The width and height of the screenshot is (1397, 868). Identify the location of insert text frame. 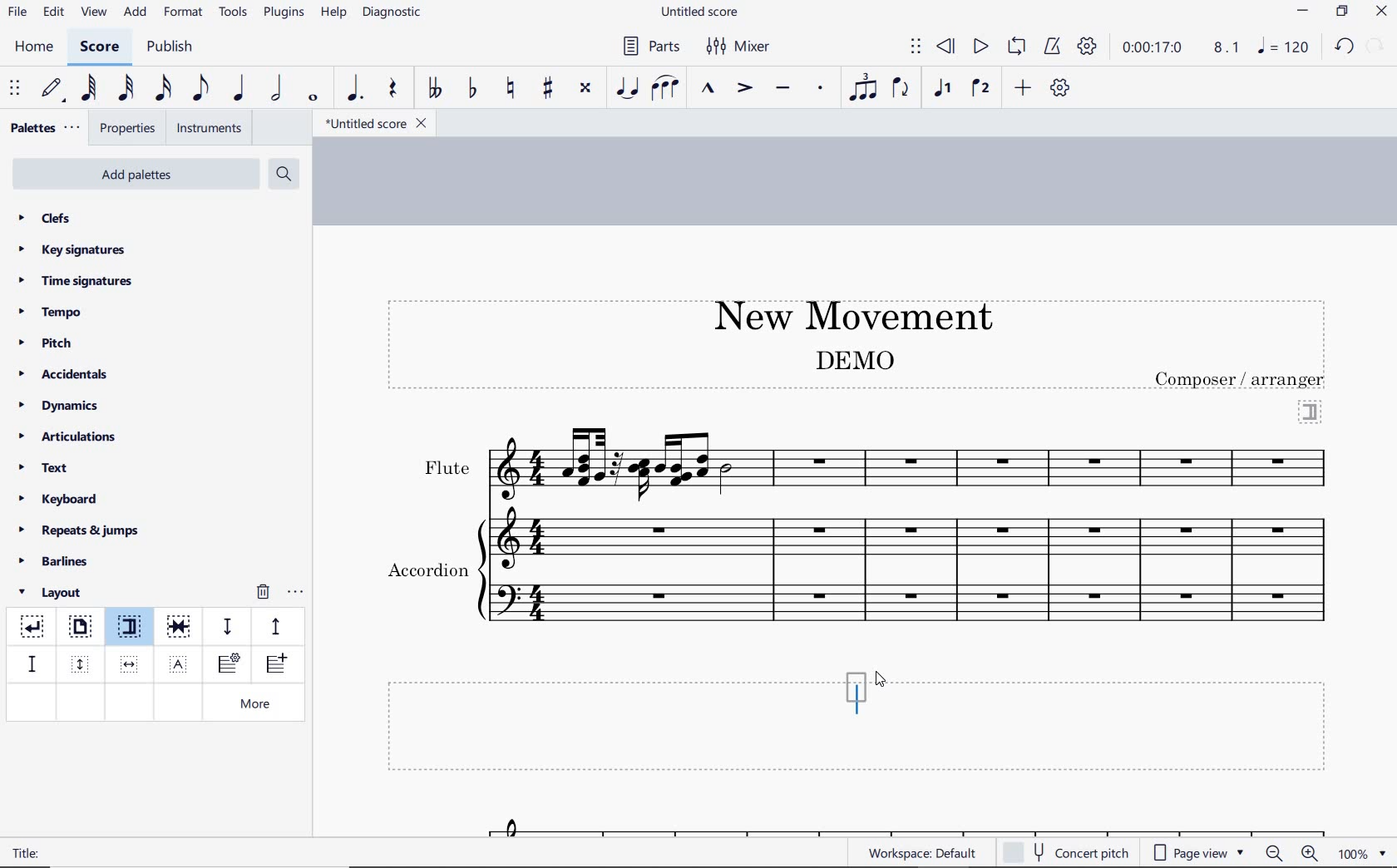
(180, 663).